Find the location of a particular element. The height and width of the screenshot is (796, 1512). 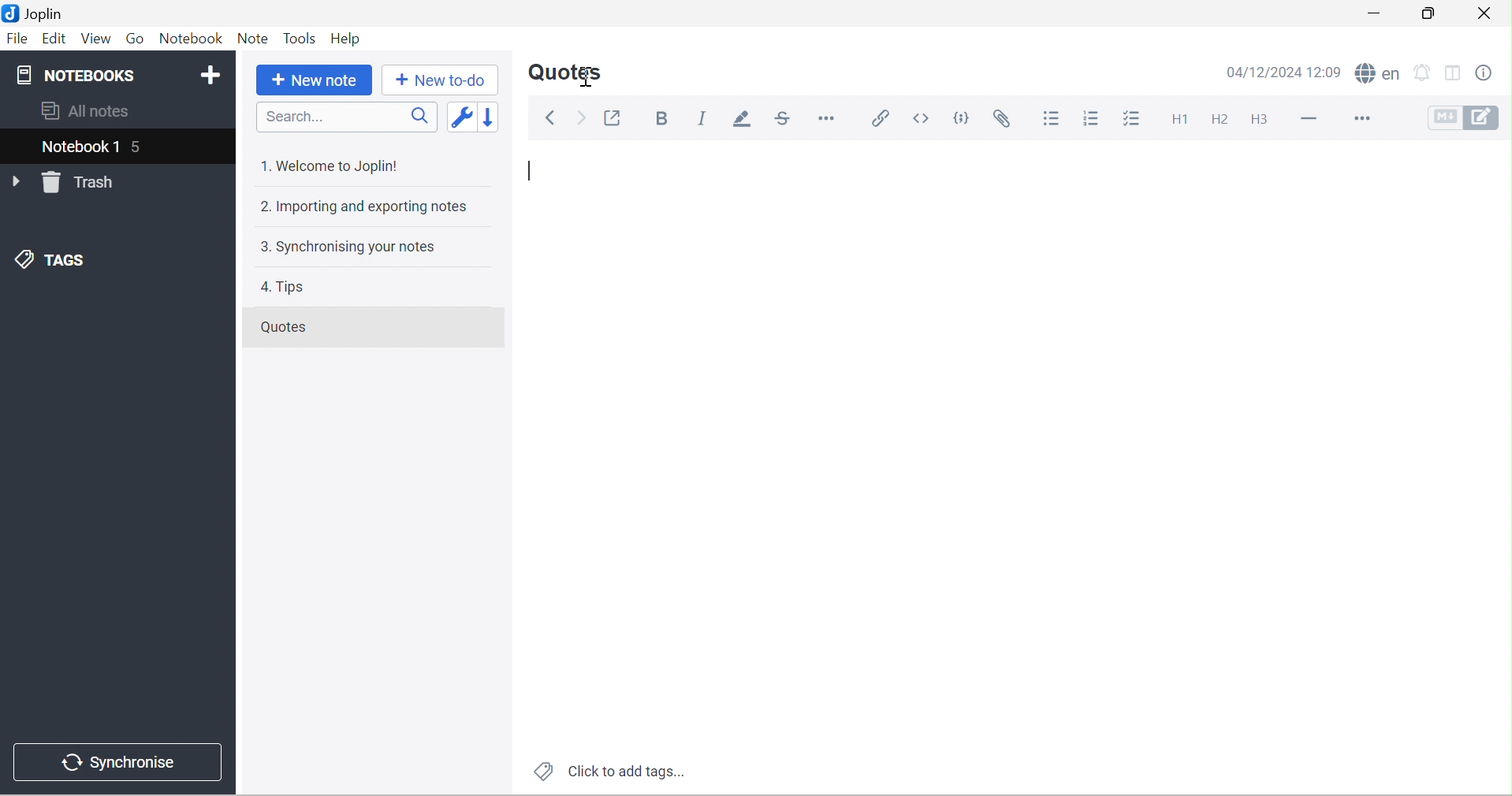

Restore Down is located at coordinates (1432, 13).